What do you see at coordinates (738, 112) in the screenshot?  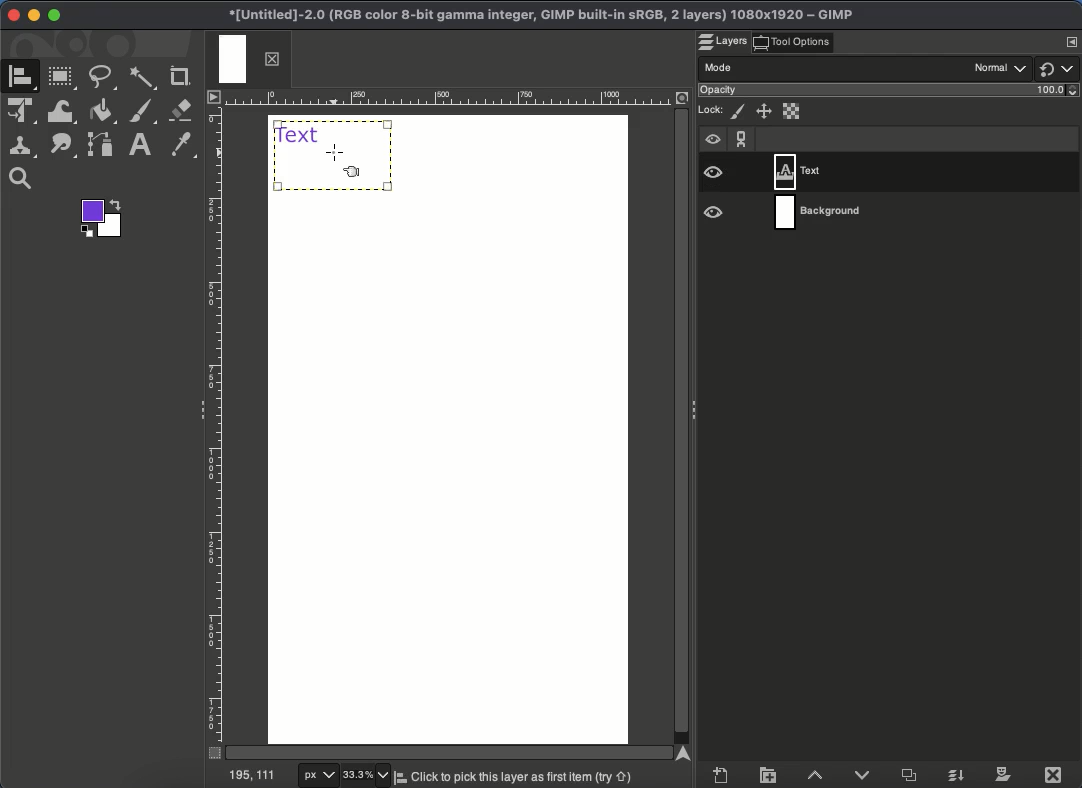 I see `Pixels` at bounding box center [738, 112].